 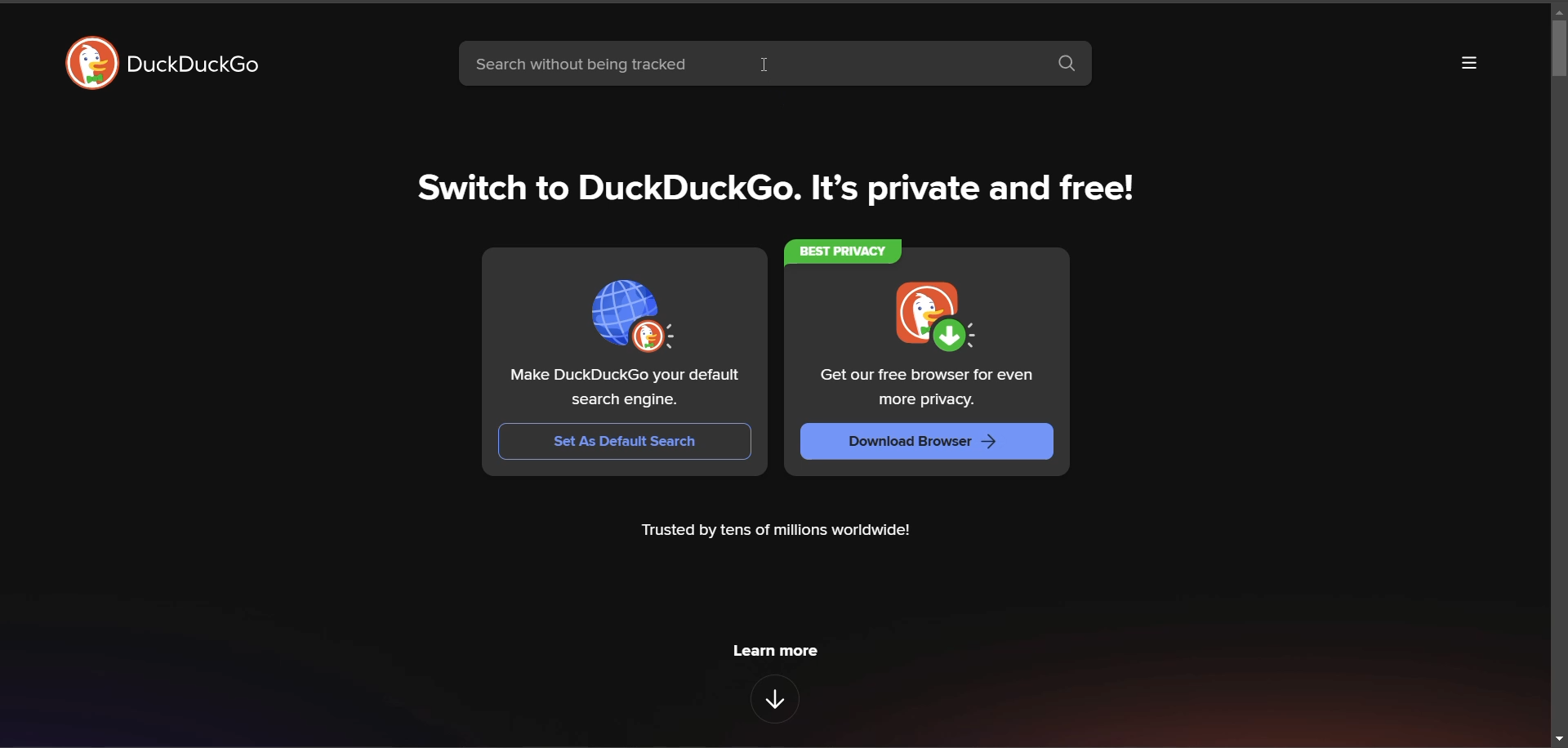 What do you see at coordinates (929, 442) in the screenshot?
I see `download browser` at bounding box center [929, 442].